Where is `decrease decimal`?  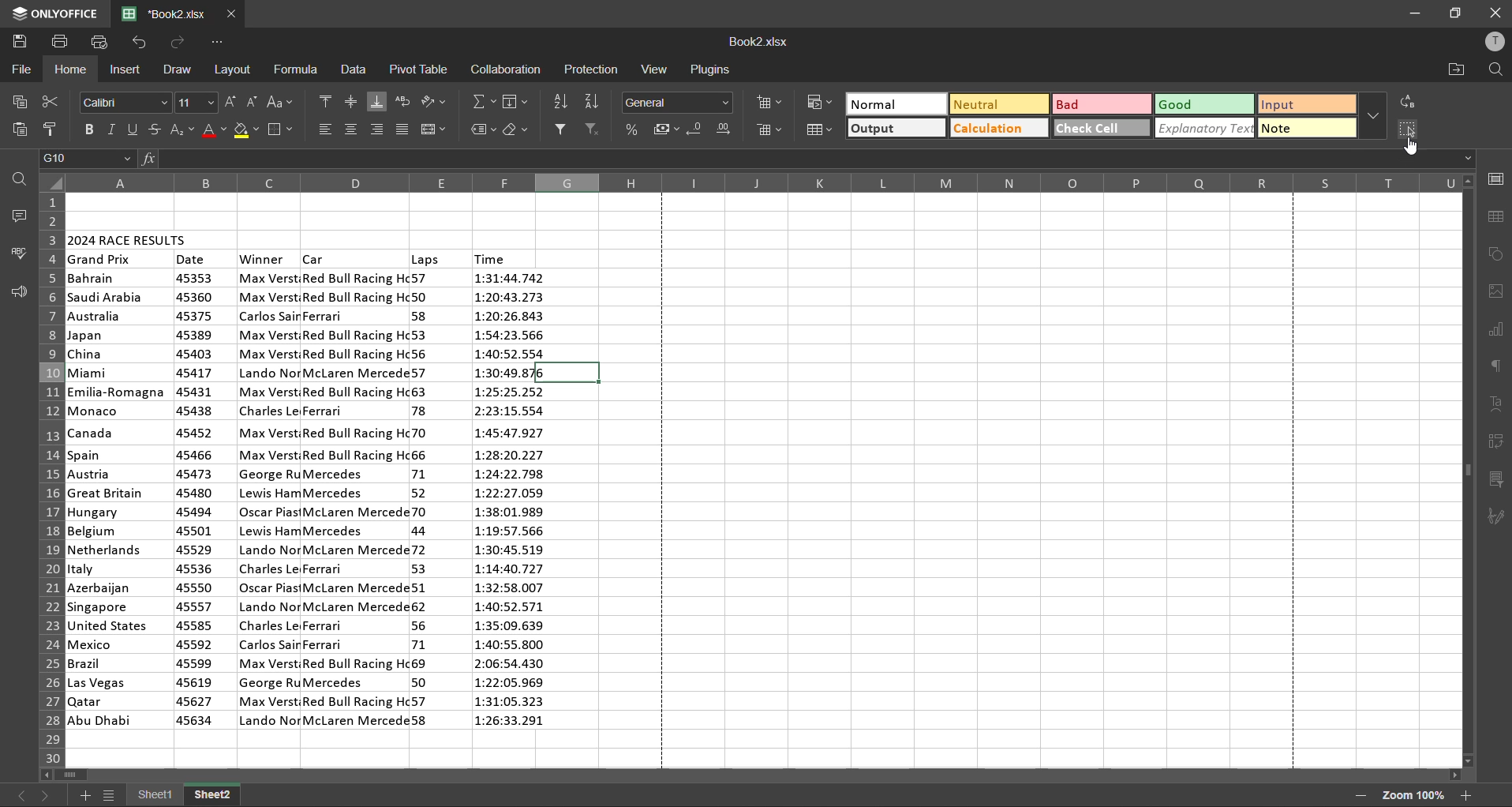
decrease decimal is located at coordinates (698, 129).